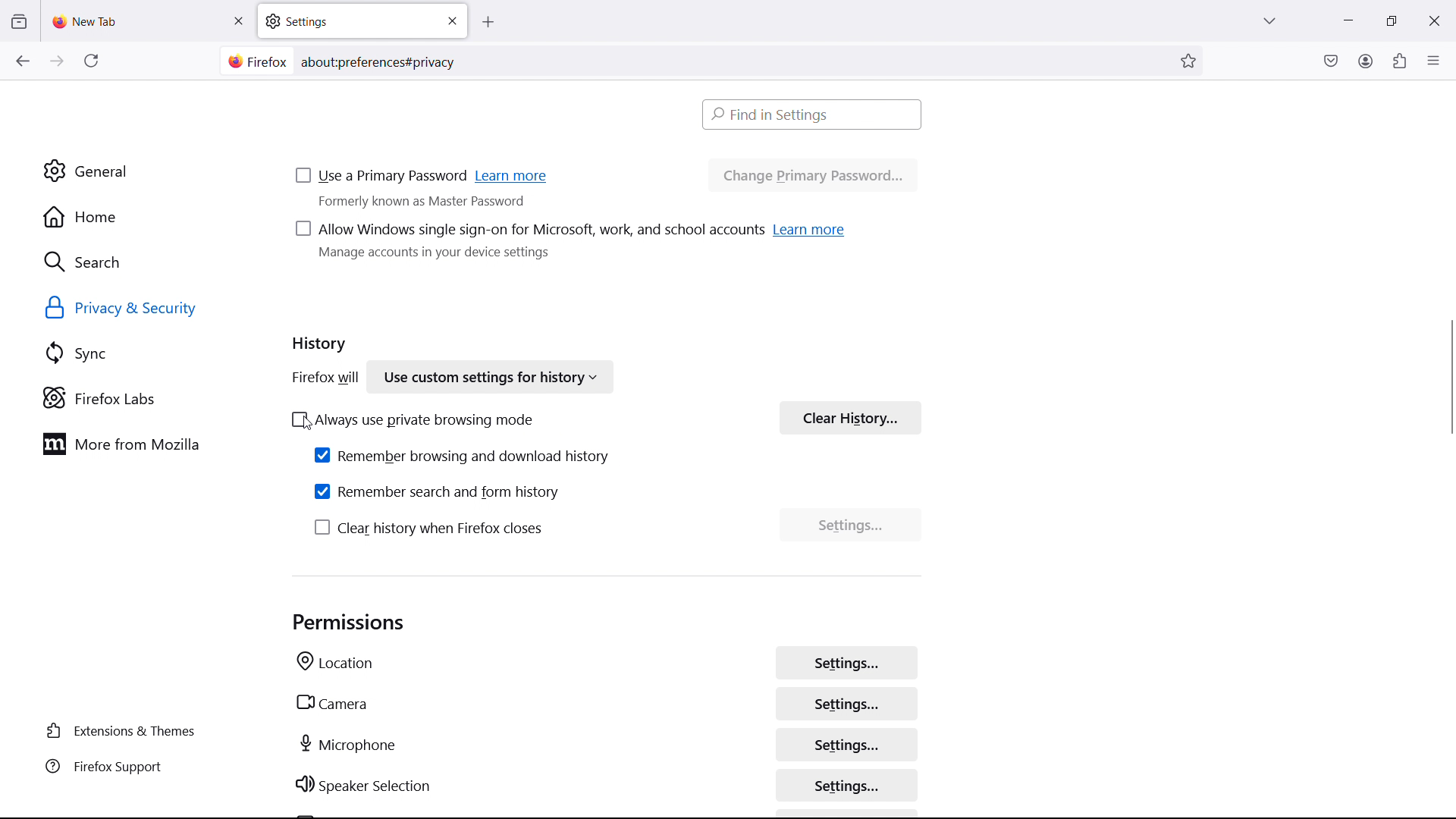  Describe the element at coordinates (364, 786) in the screenshot. I see `speaker selection` at that location.